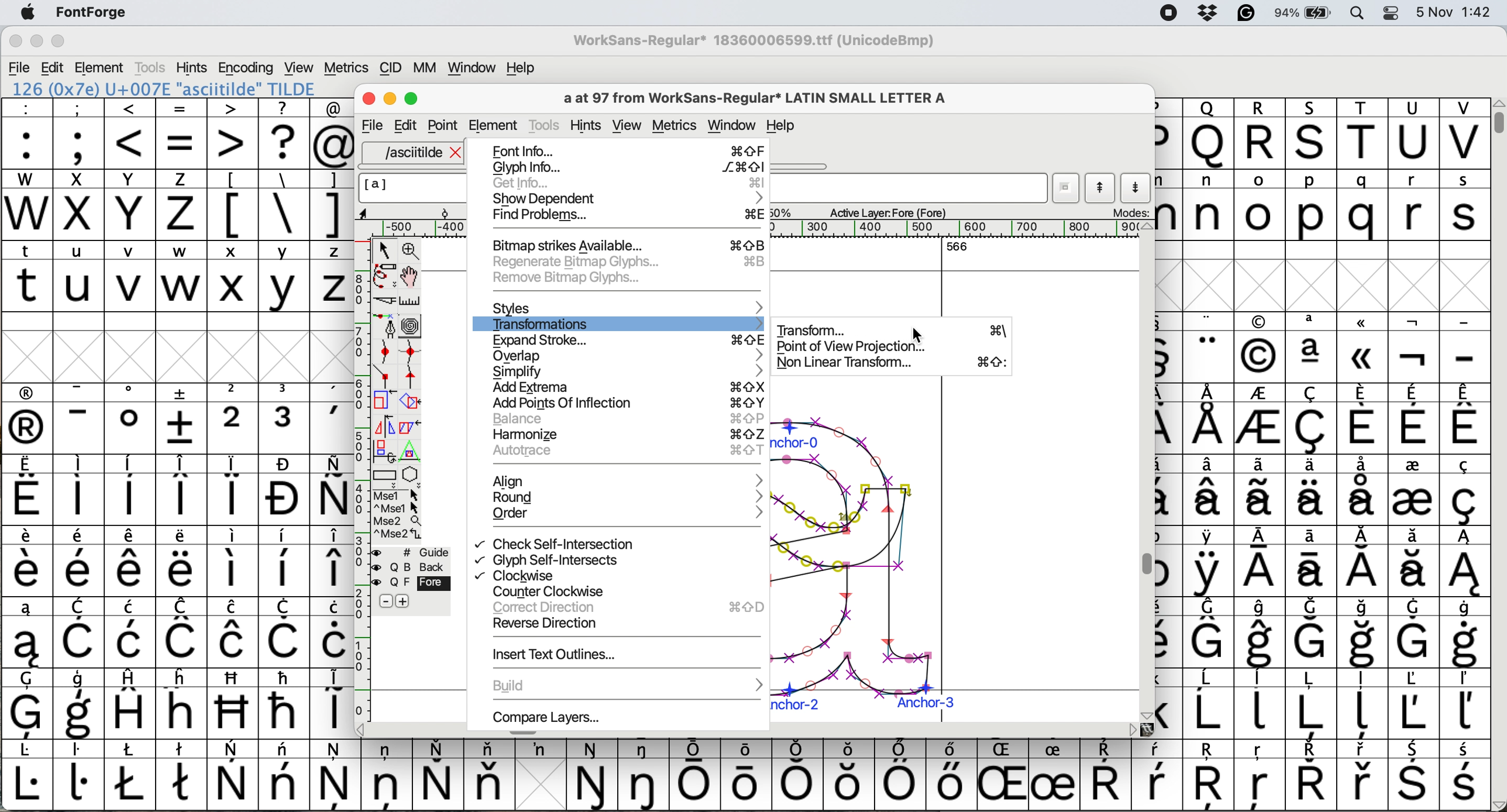  What do you see at coordinates (1312, 562) in the screenshot?
I see `symbol` at bounding box center [1312, 562].